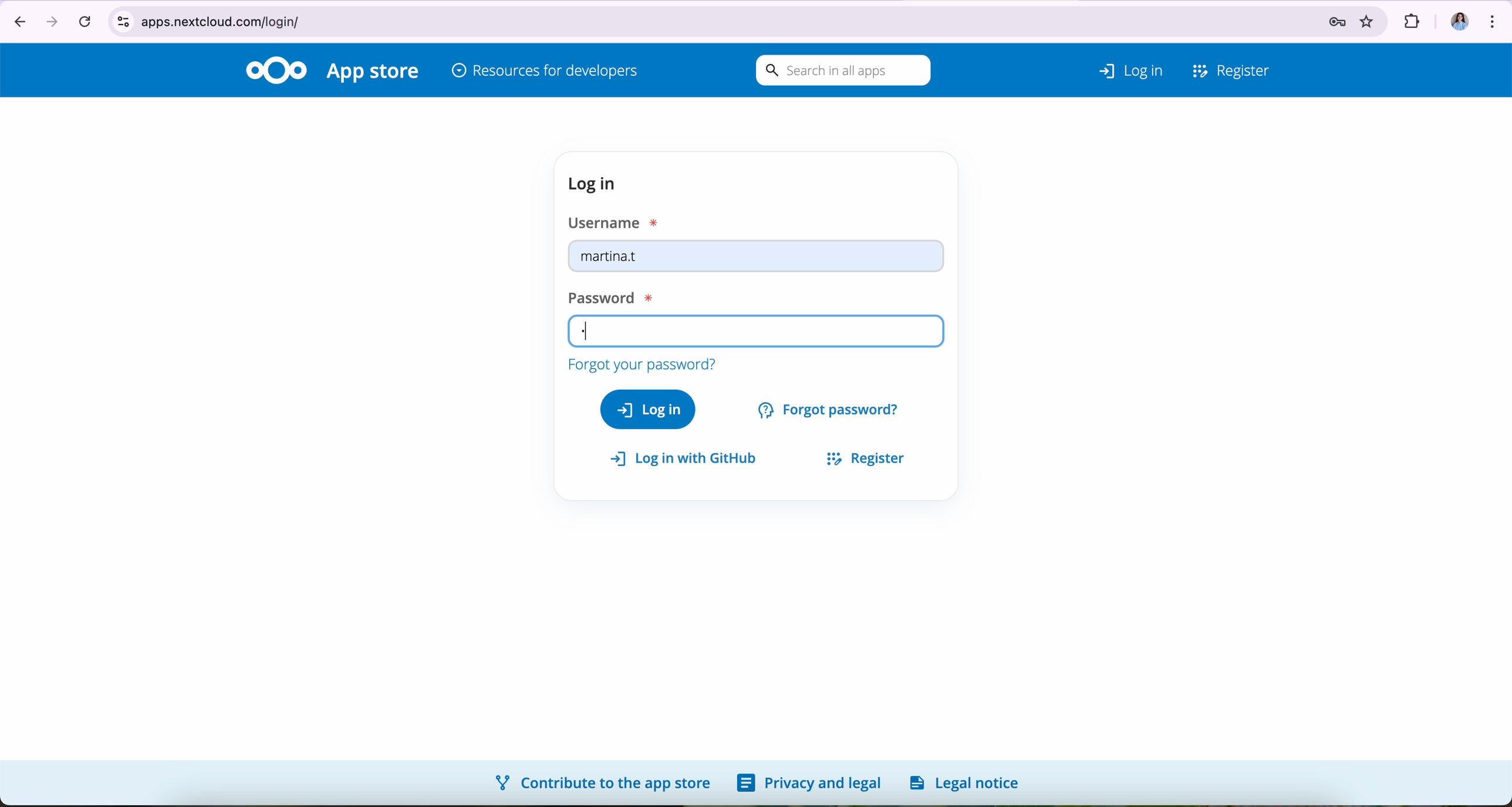 This screenshot has height=807, width=1512. Describe the element at coordinates (545, 72) in the screenshot. I see `resources for developers` at that location.